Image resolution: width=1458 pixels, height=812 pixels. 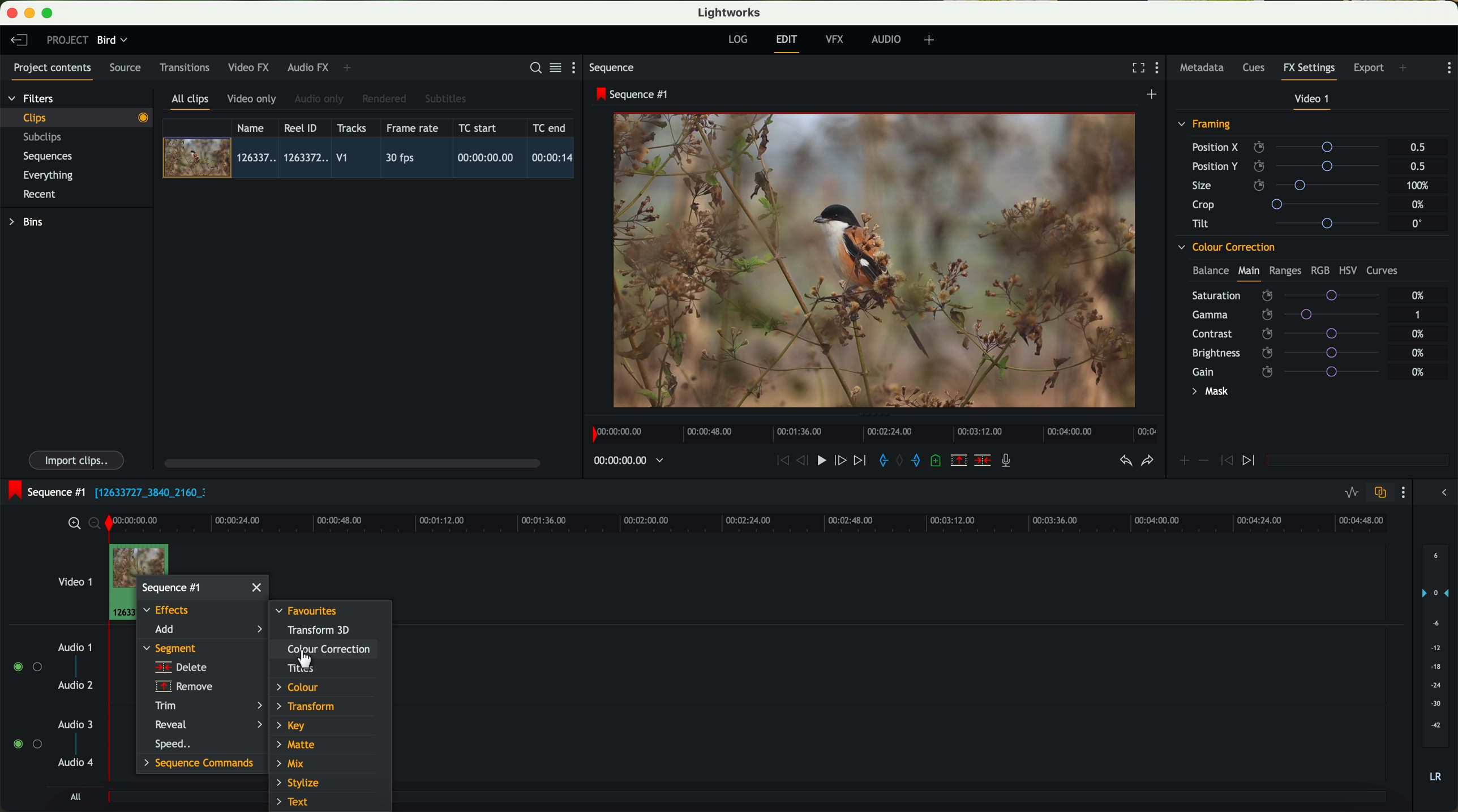 What do you see at coordinates (886, 39) in the screenshot?
I see `audio` at bounding box center [886, 39].